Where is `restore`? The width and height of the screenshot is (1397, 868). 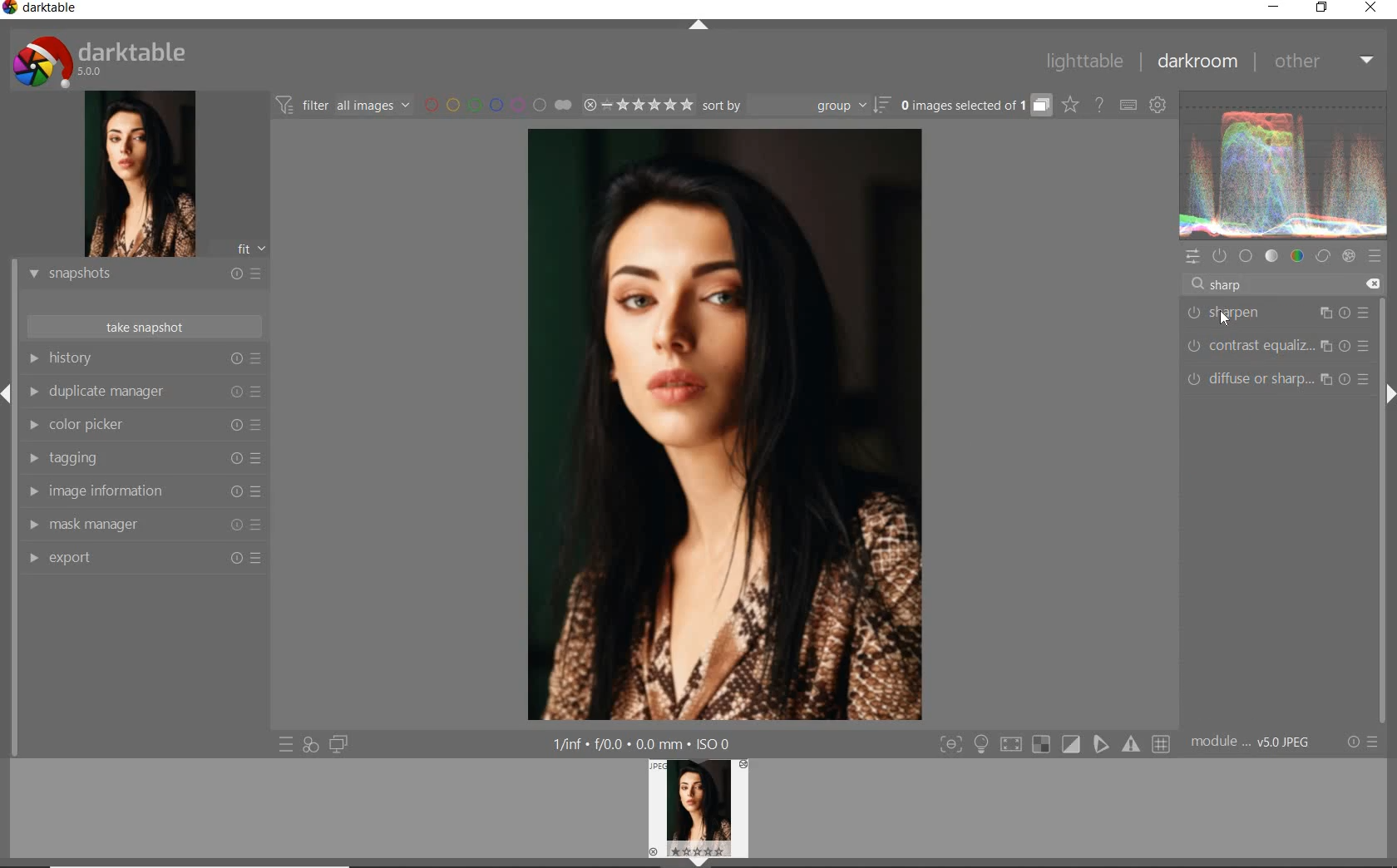
restore is located at coordinates (1323, 10).